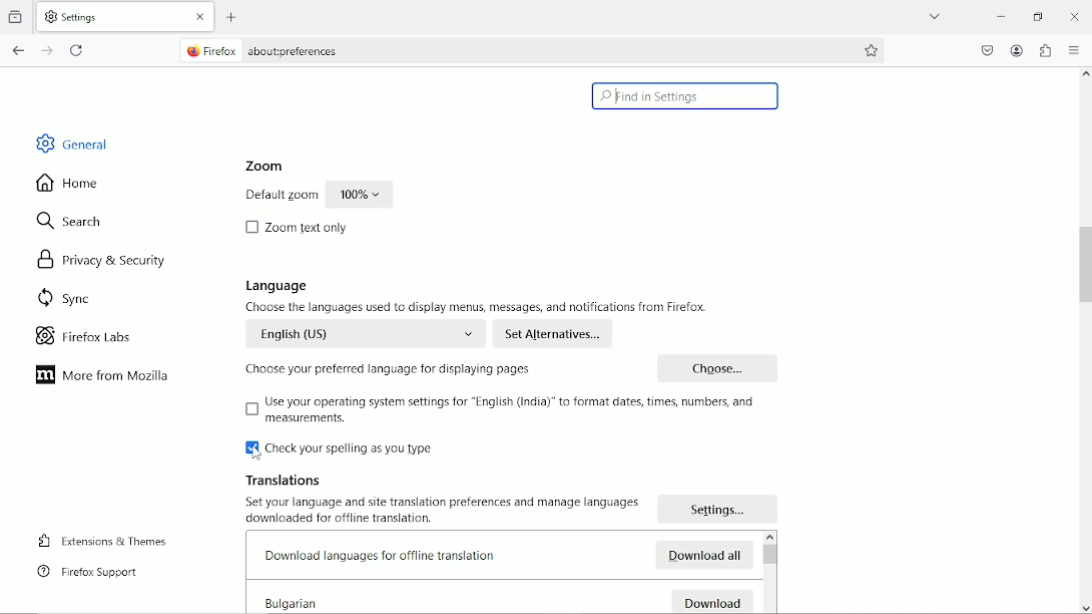  Describe the element at coordinates (987, 50) in the screenshot. I see `Save to pocket` at that location.